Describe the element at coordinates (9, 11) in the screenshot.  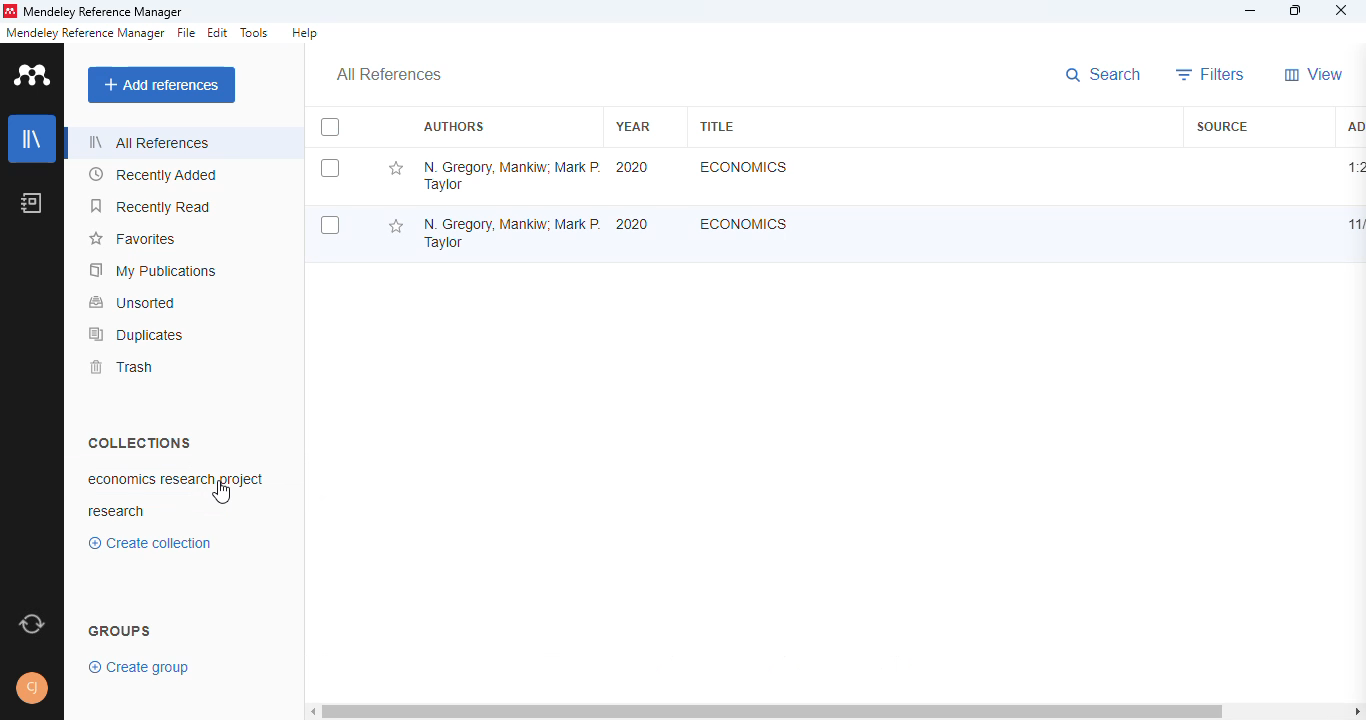
I see `logo` at that location.